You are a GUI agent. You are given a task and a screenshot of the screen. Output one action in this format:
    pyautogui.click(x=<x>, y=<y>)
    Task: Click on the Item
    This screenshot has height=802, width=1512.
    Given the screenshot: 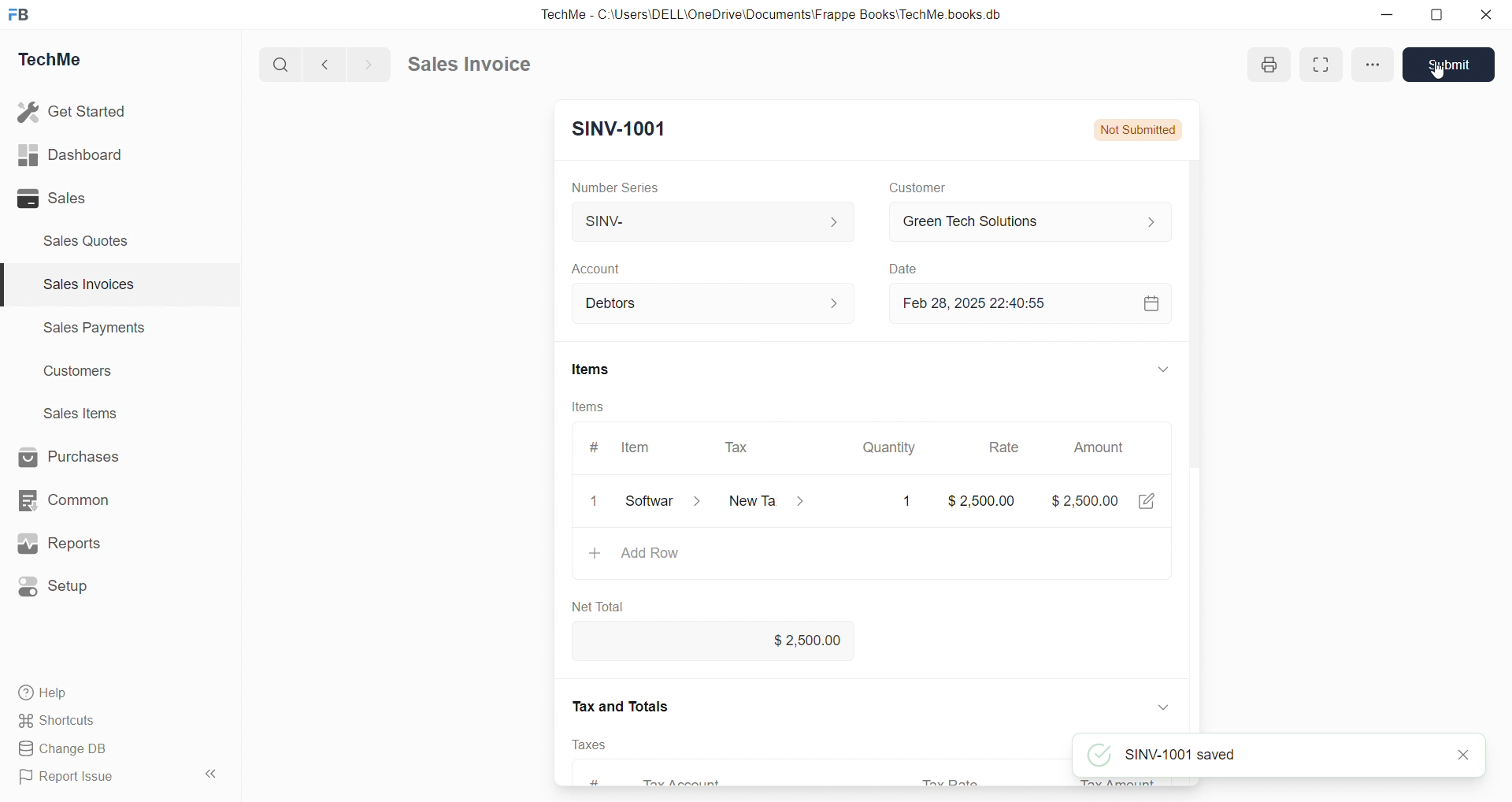 What is the action you would take?
    pyautogui.click(x=637, y=447)
    